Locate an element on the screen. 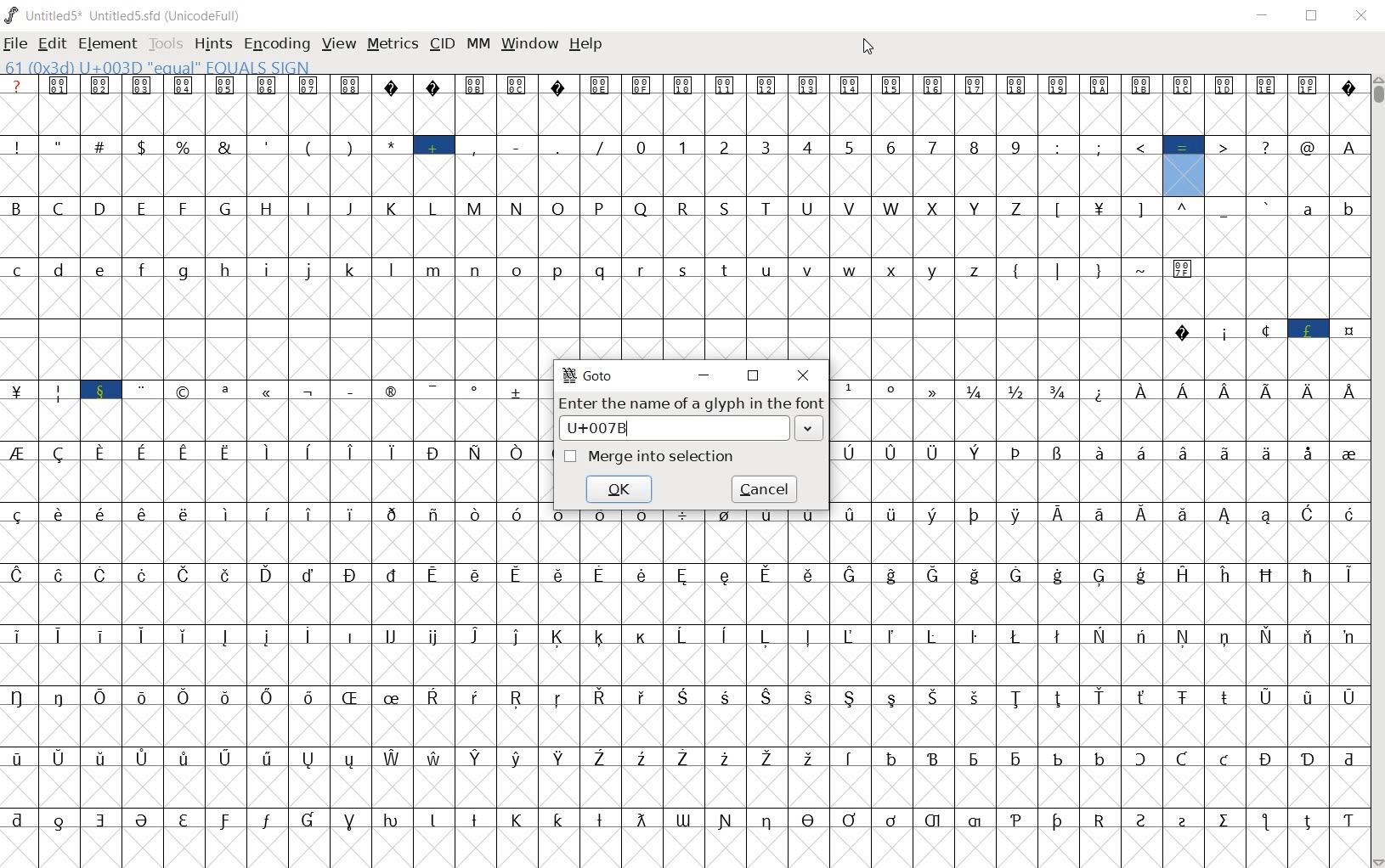  Merge into selection is located at coordinates (647, 457).